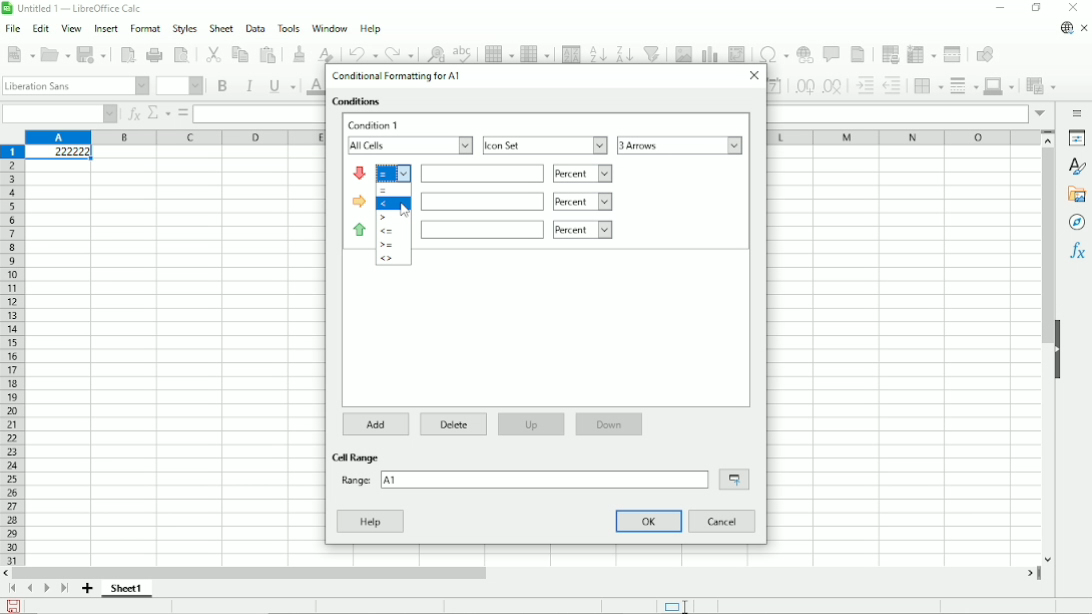 This screenshot has width=1092, height=614. I want to click on Sidebar settings, so click(1078, 112).